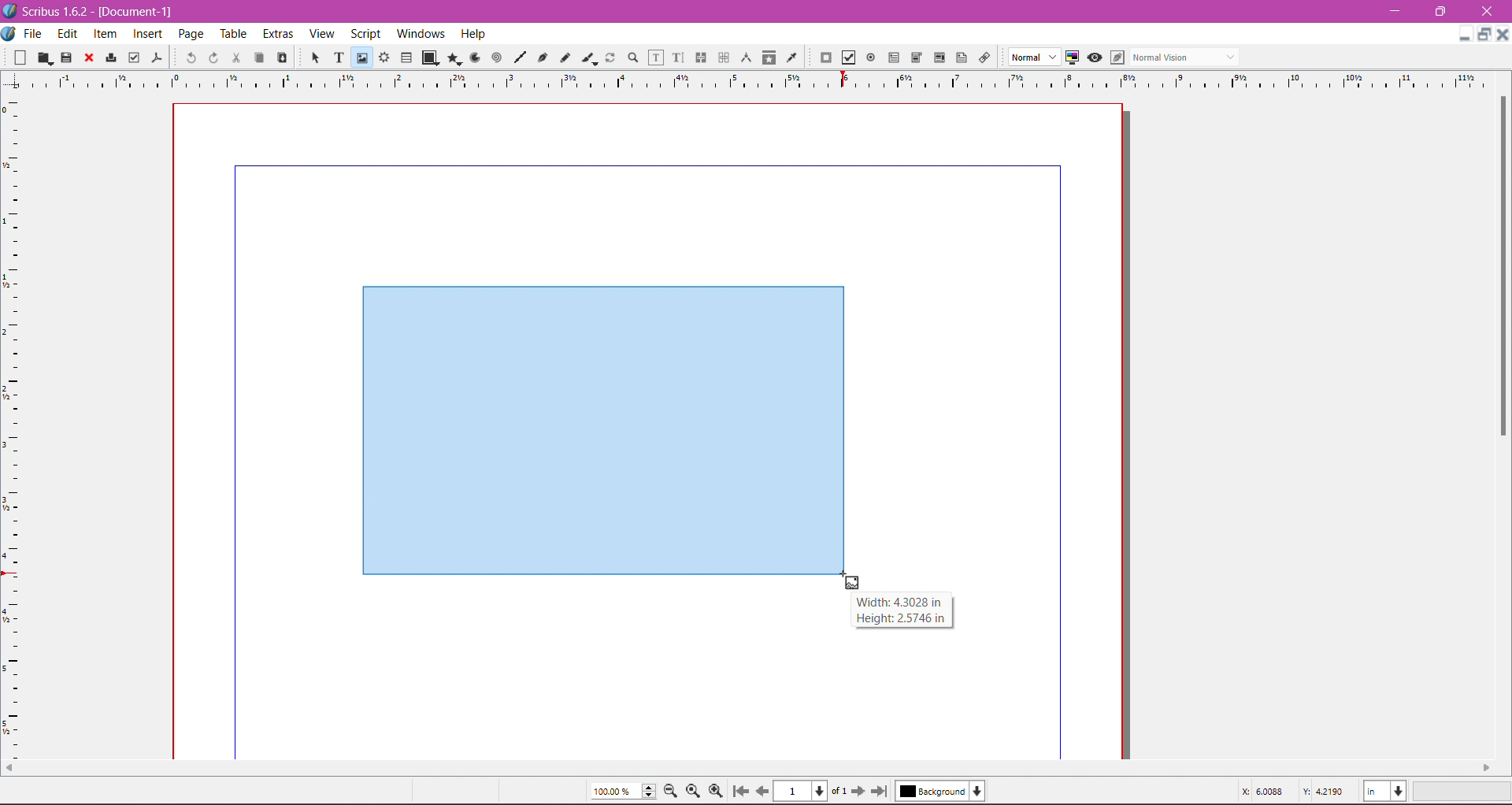  Describe the element at coordinates (672, 791) in the screenshot. I see `Zoom Out by the stepping value in Tools preferences` at that location.